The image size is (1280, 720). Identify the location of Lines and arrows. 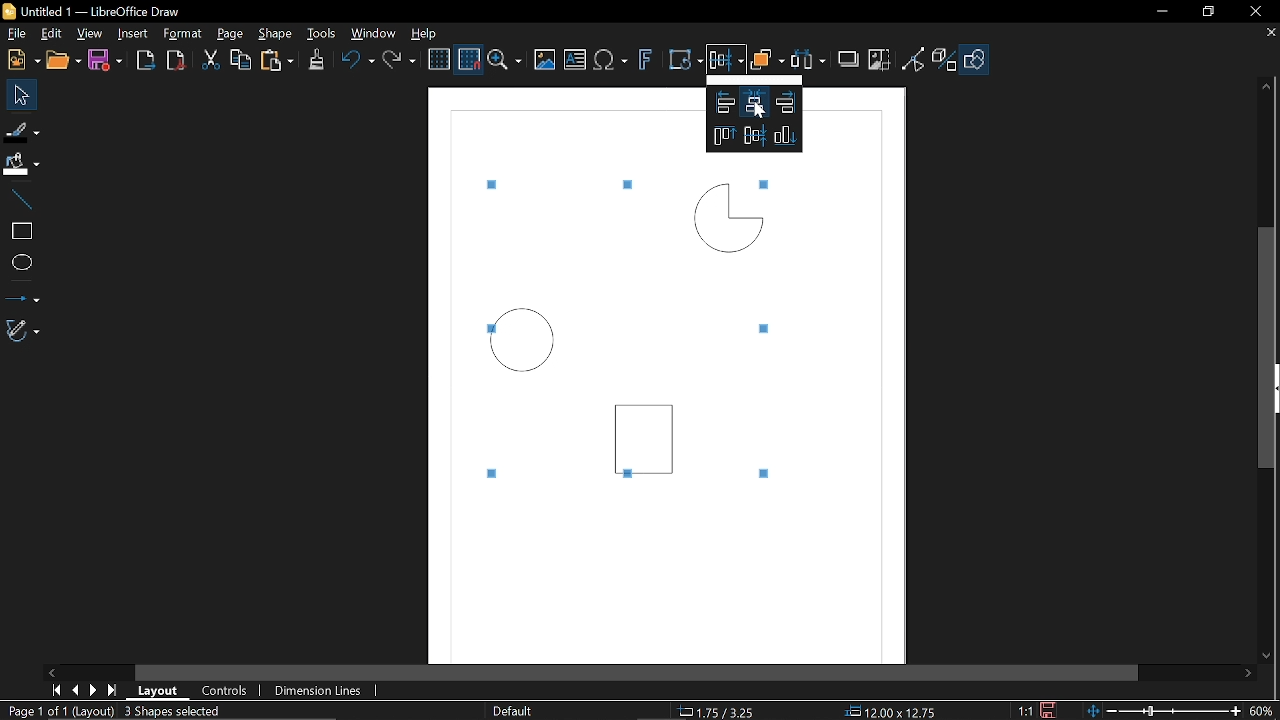
(25, 295).